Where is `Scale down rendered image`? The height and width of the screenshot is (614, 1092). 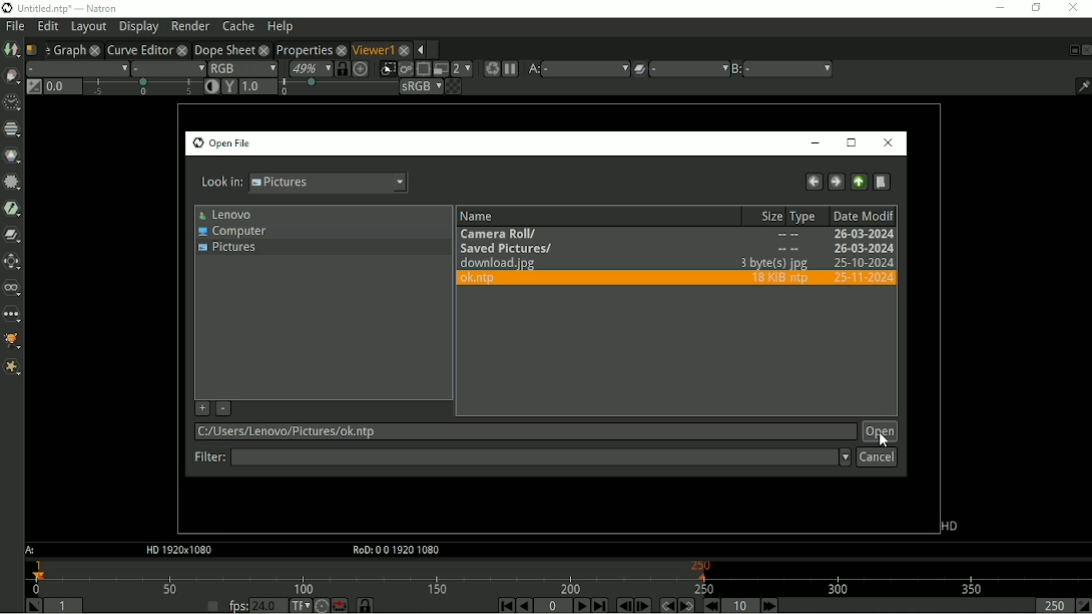
Scale down rendered image is located at coordinates (462, 68).